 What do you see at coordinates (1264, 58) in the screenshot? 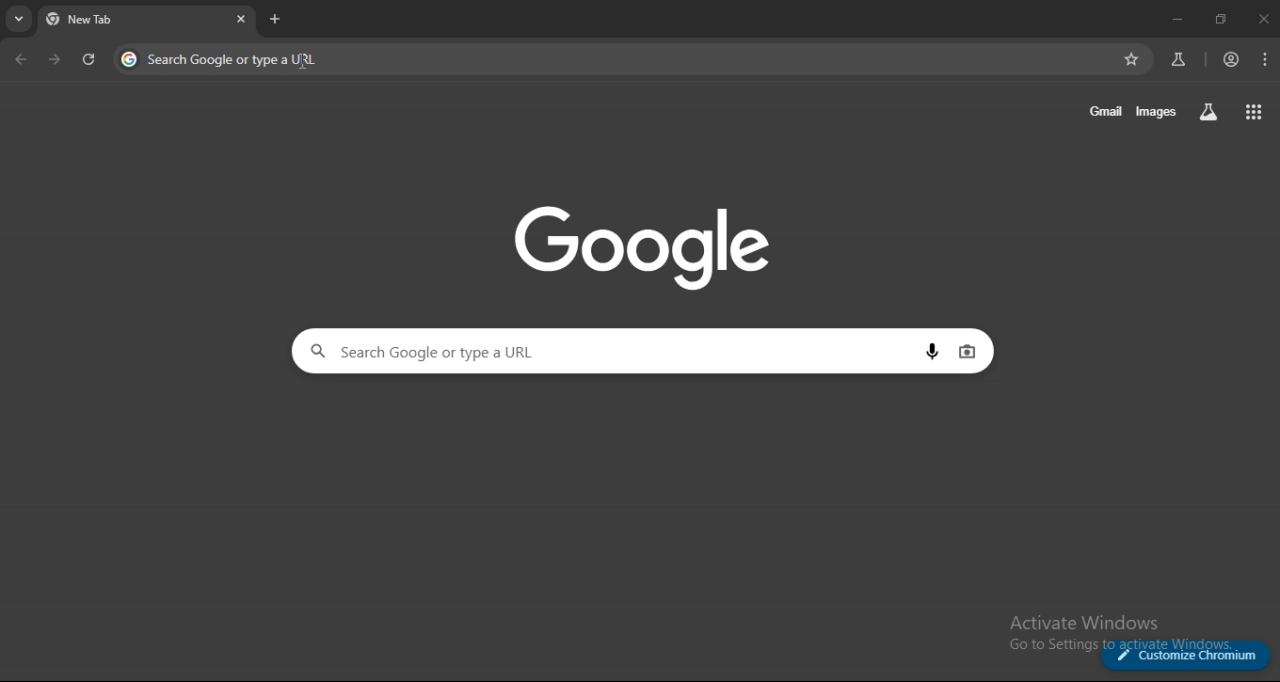
I see `menu` at bounding box center [1264, 58].